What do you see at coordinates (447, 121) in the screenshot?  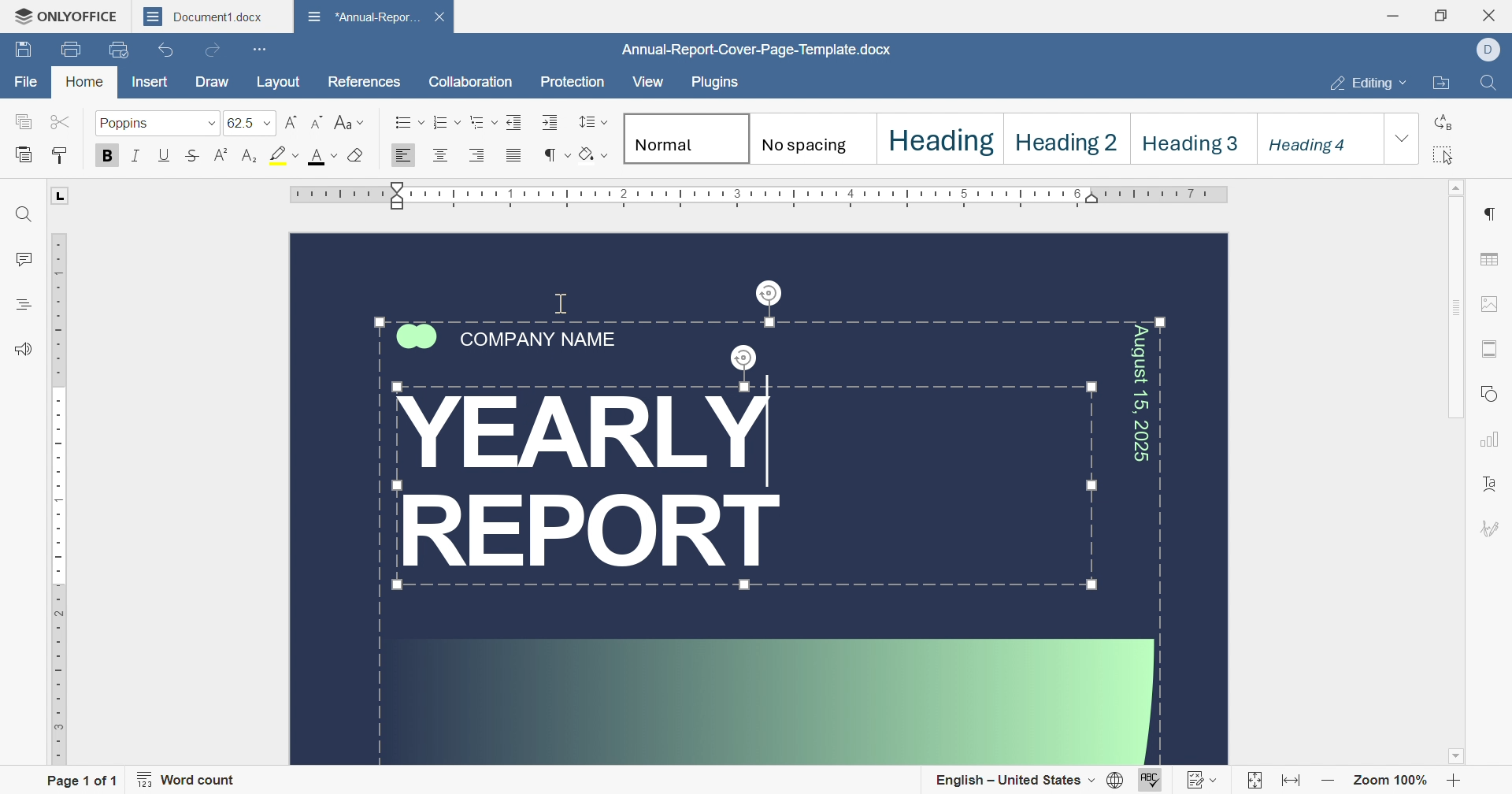 I see `numbering` at bounding box center [447, 121].